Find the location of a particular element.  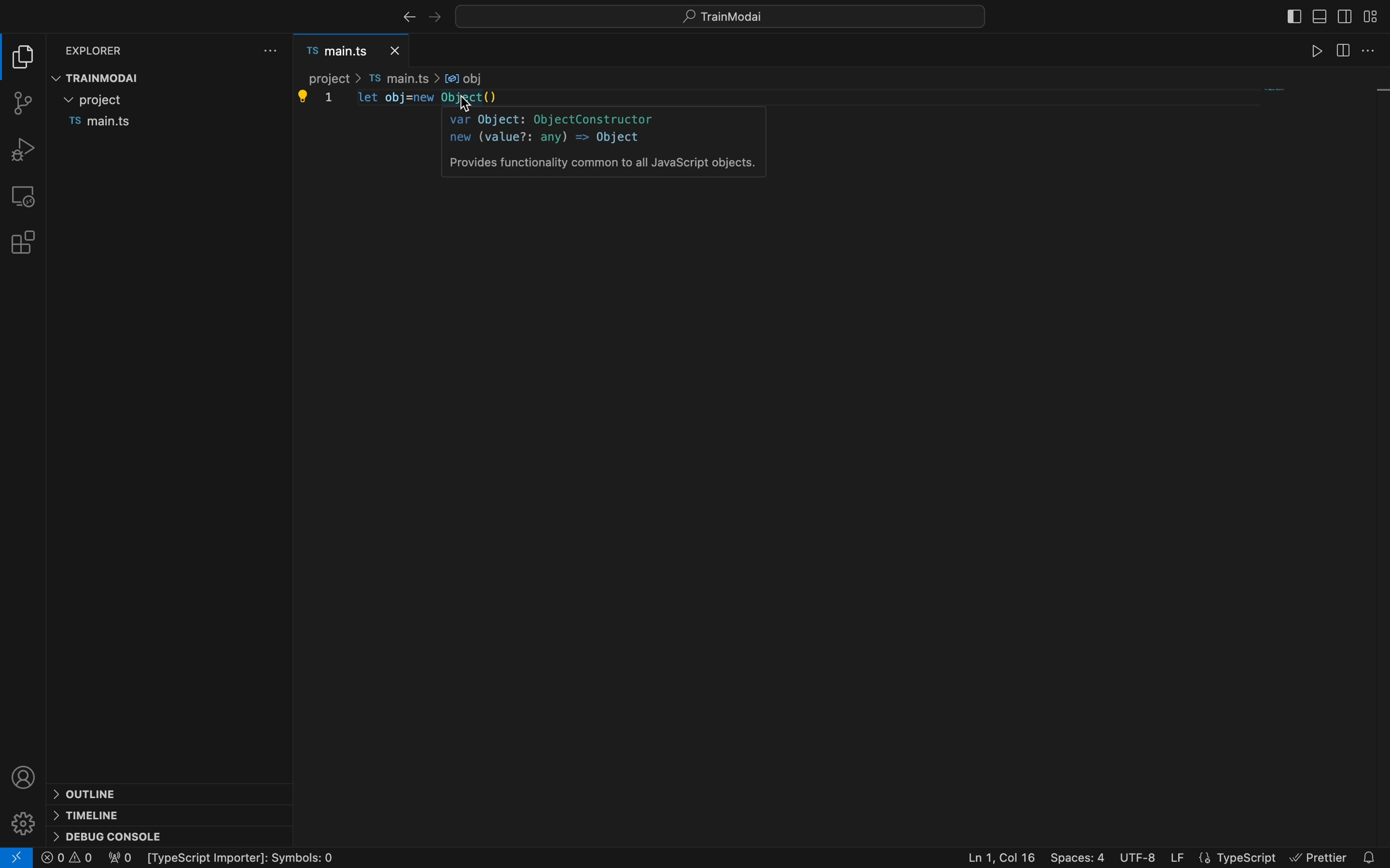

cursor is located at coordinates (462, 102).